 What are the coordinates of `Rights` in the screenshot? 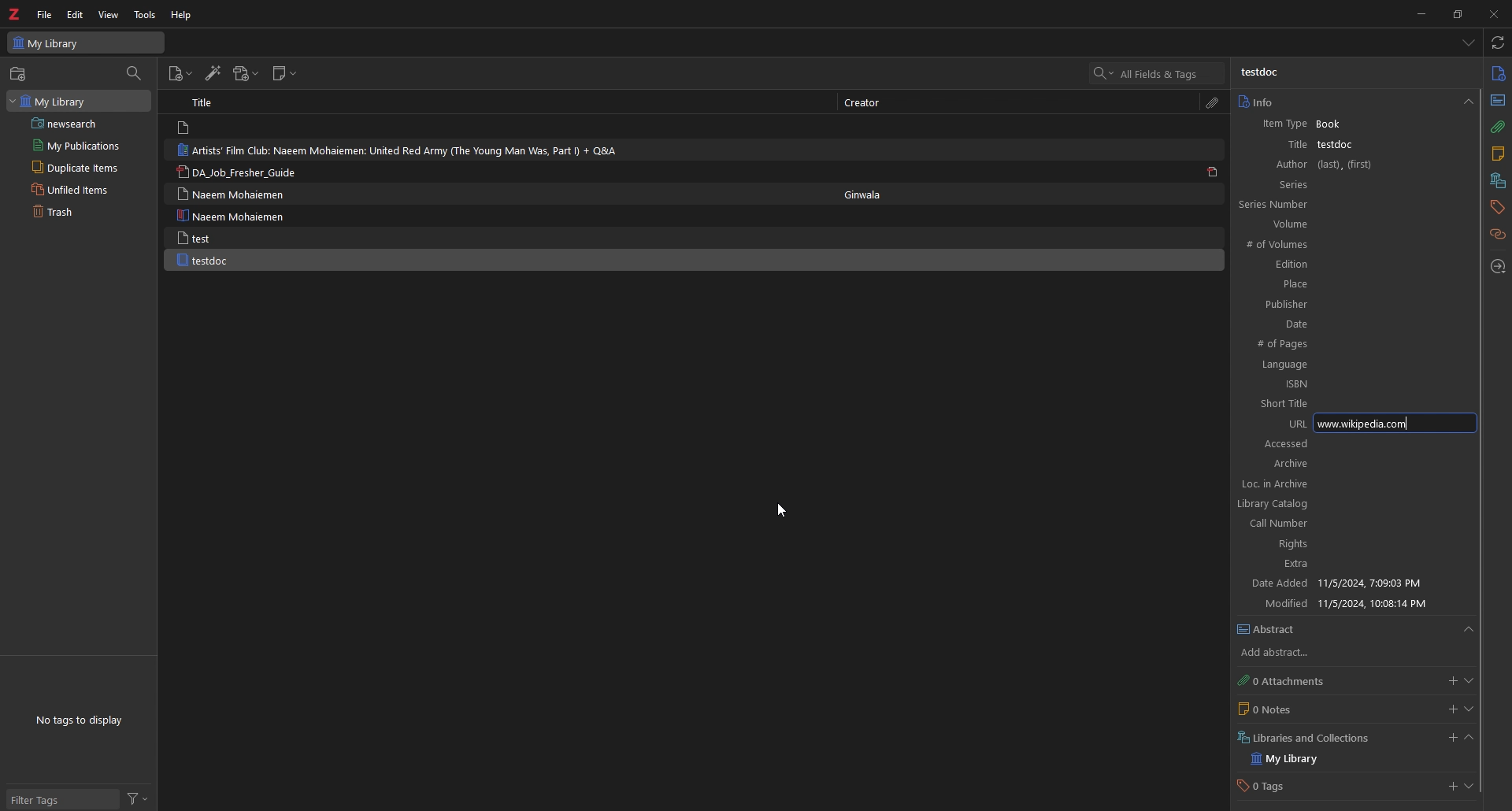 It's located at (1347, 546).